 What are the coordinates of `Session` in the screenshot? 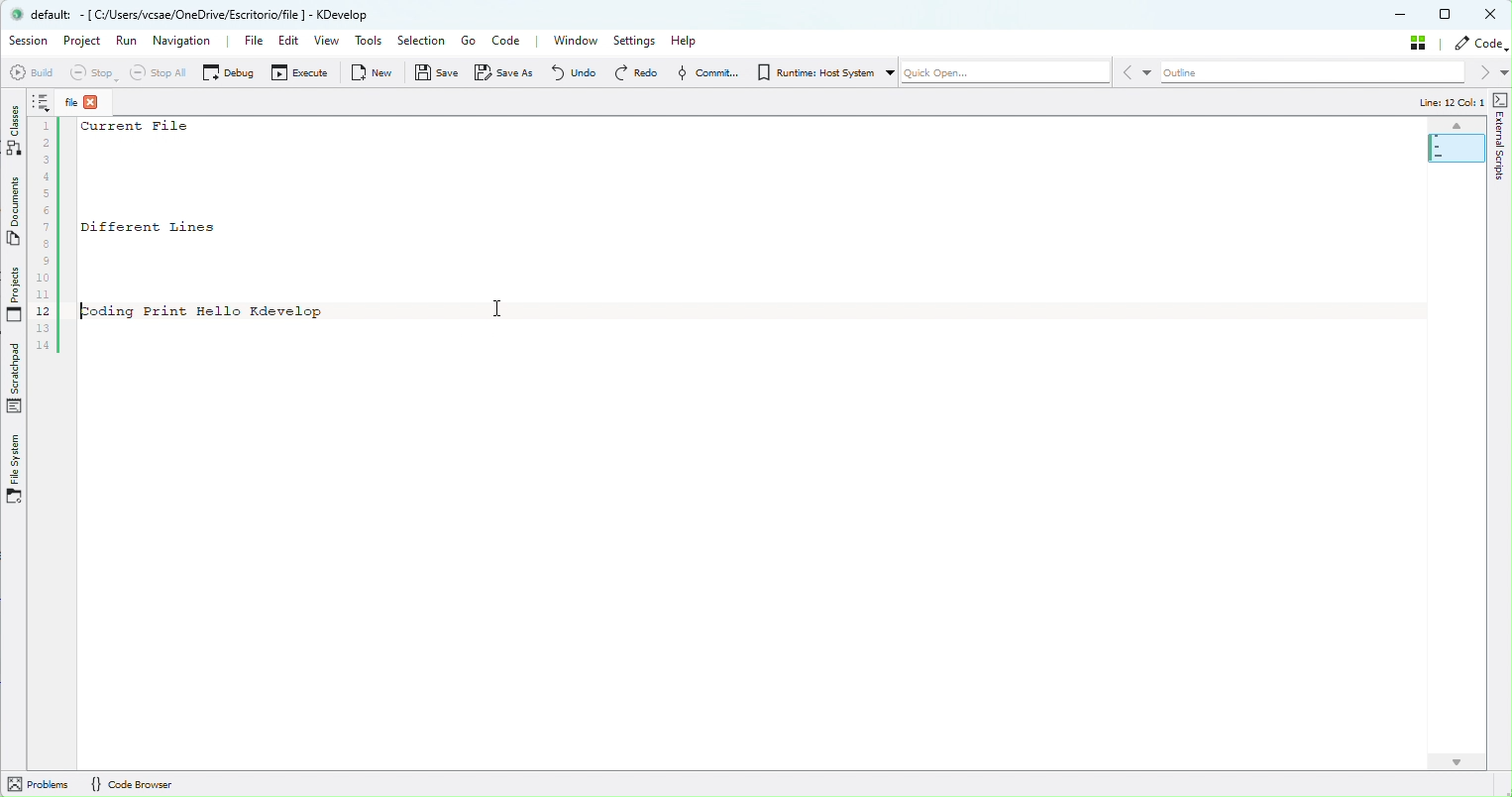 It's located at (29, 41).